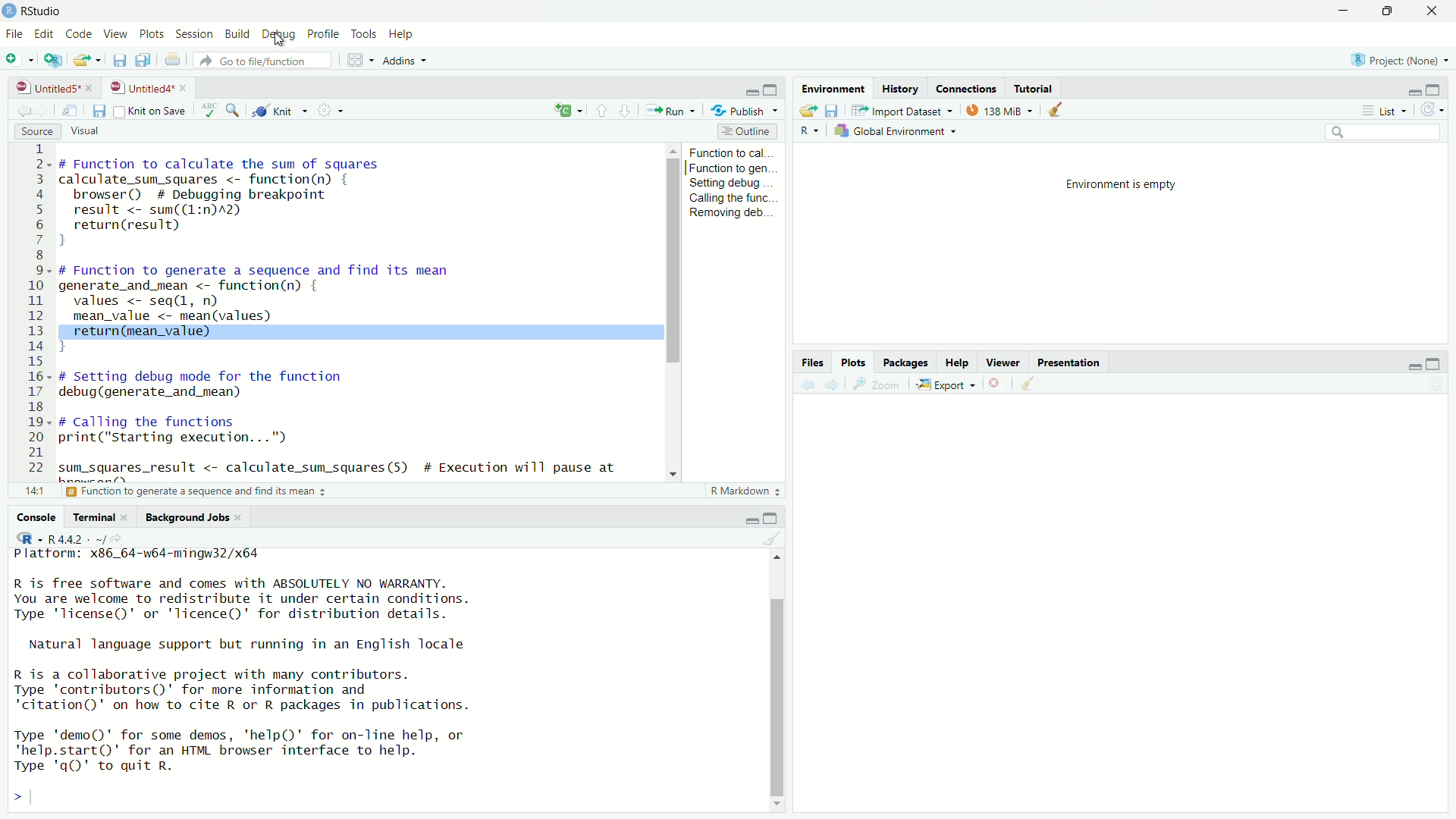 This screenshot has width=1456, height=819. I want to click on view, so click(118, 33).